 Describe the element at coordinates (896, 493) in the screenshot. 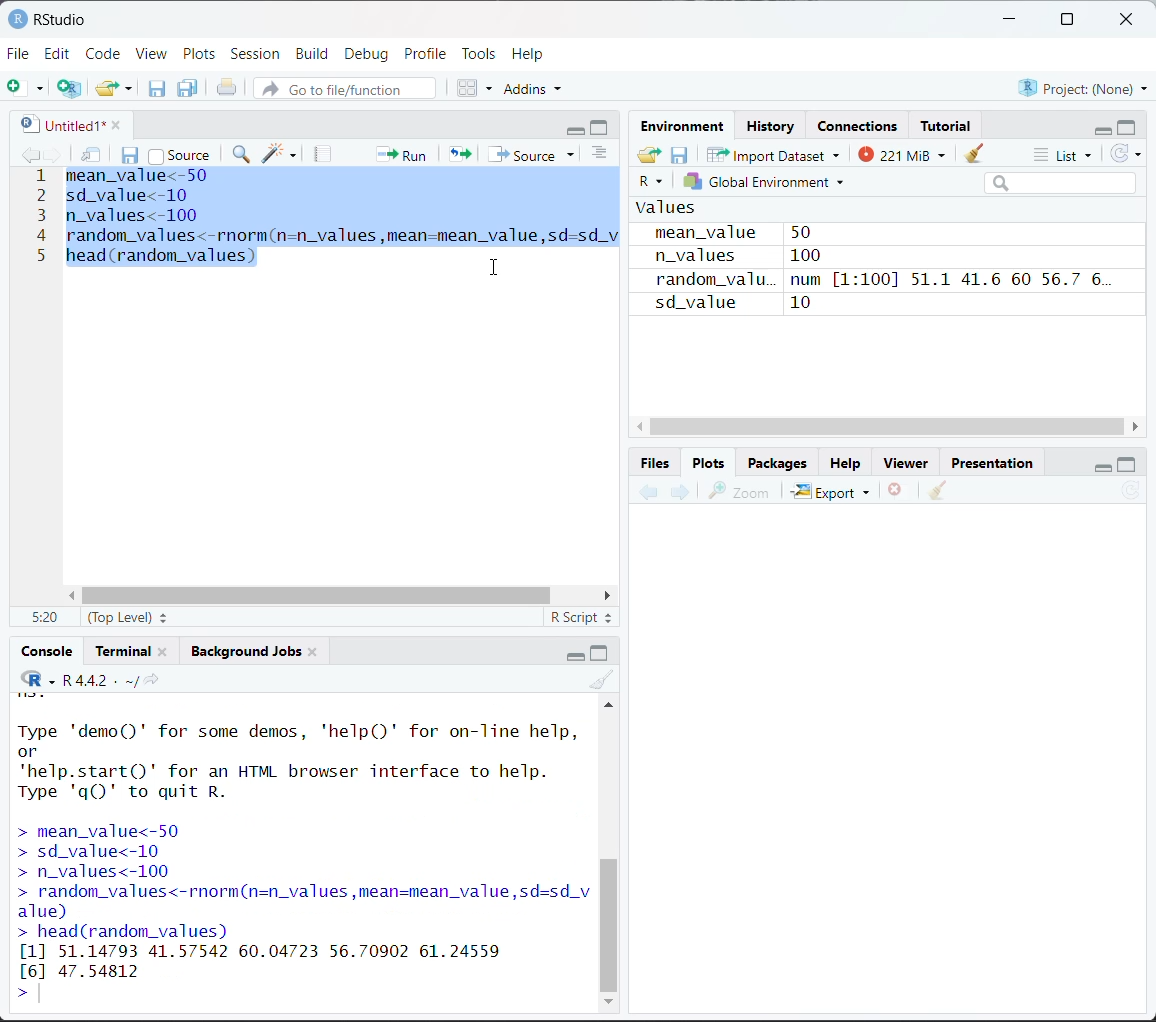

I see `remove the current plot` at that location.